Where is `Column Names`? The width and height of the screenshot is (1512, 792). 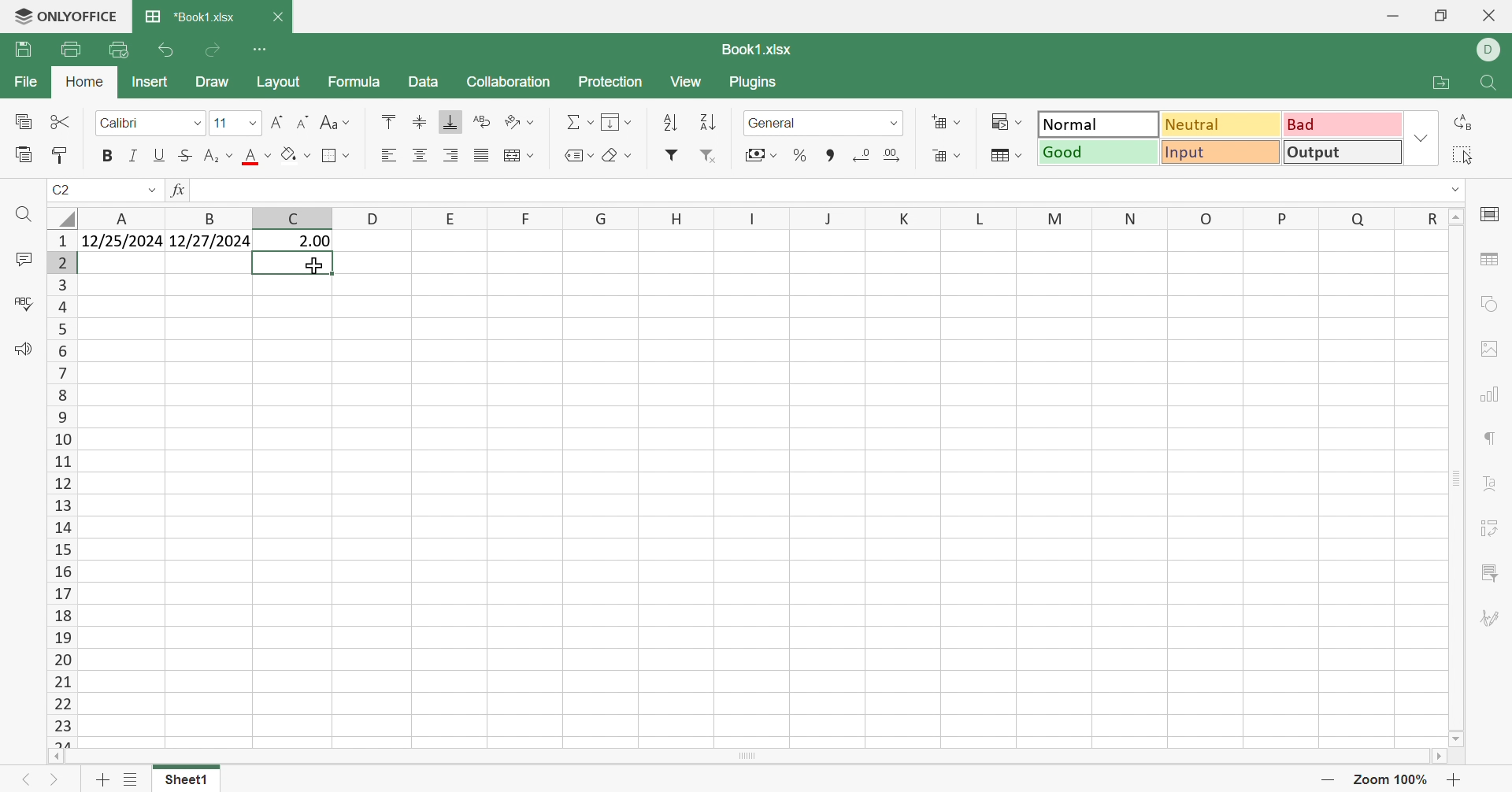 Column Names is located at coordinates (755, 217).